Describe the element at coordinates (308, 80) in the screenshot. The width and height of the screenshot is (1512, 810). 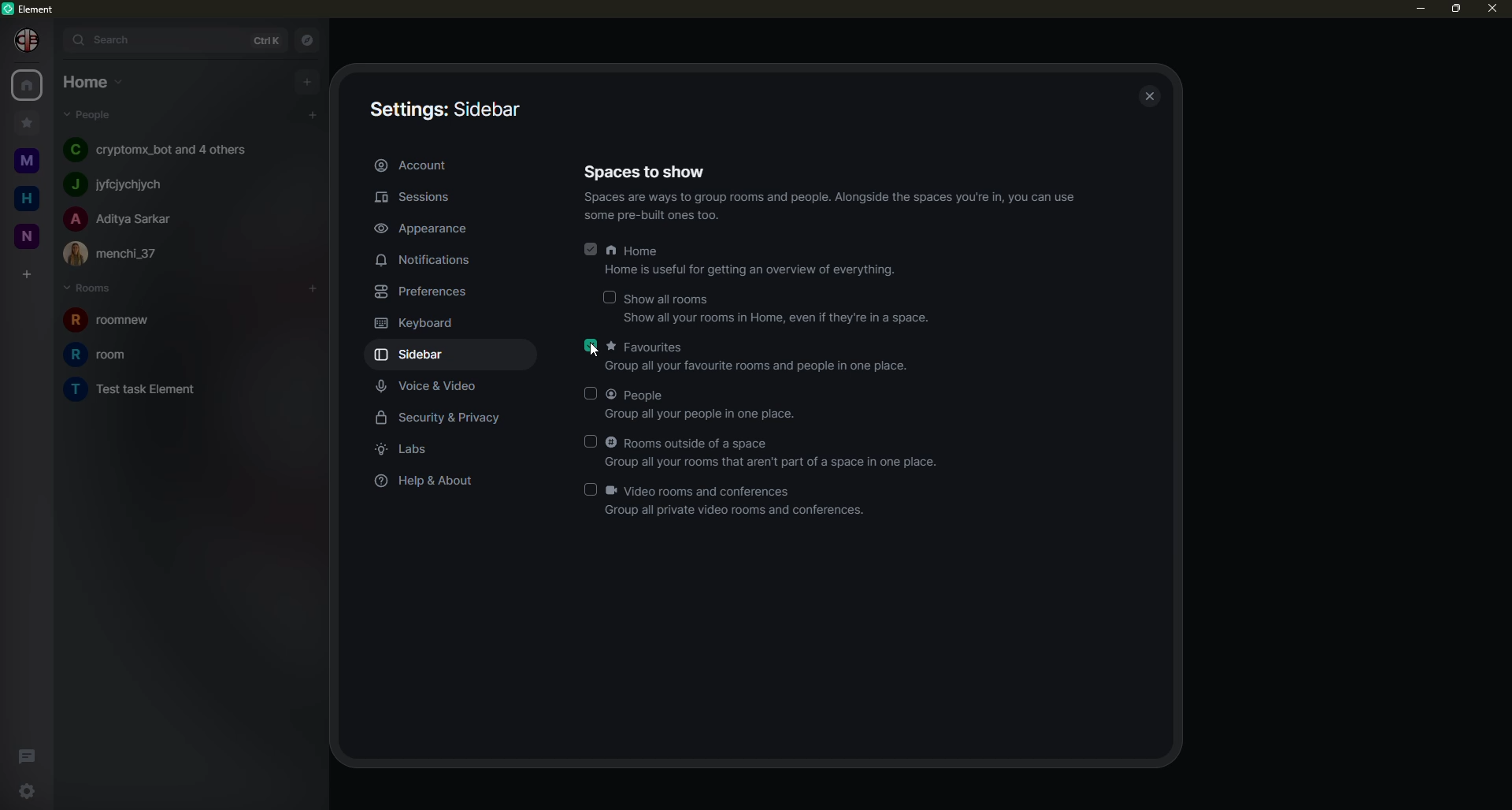
I see `add` at that location.